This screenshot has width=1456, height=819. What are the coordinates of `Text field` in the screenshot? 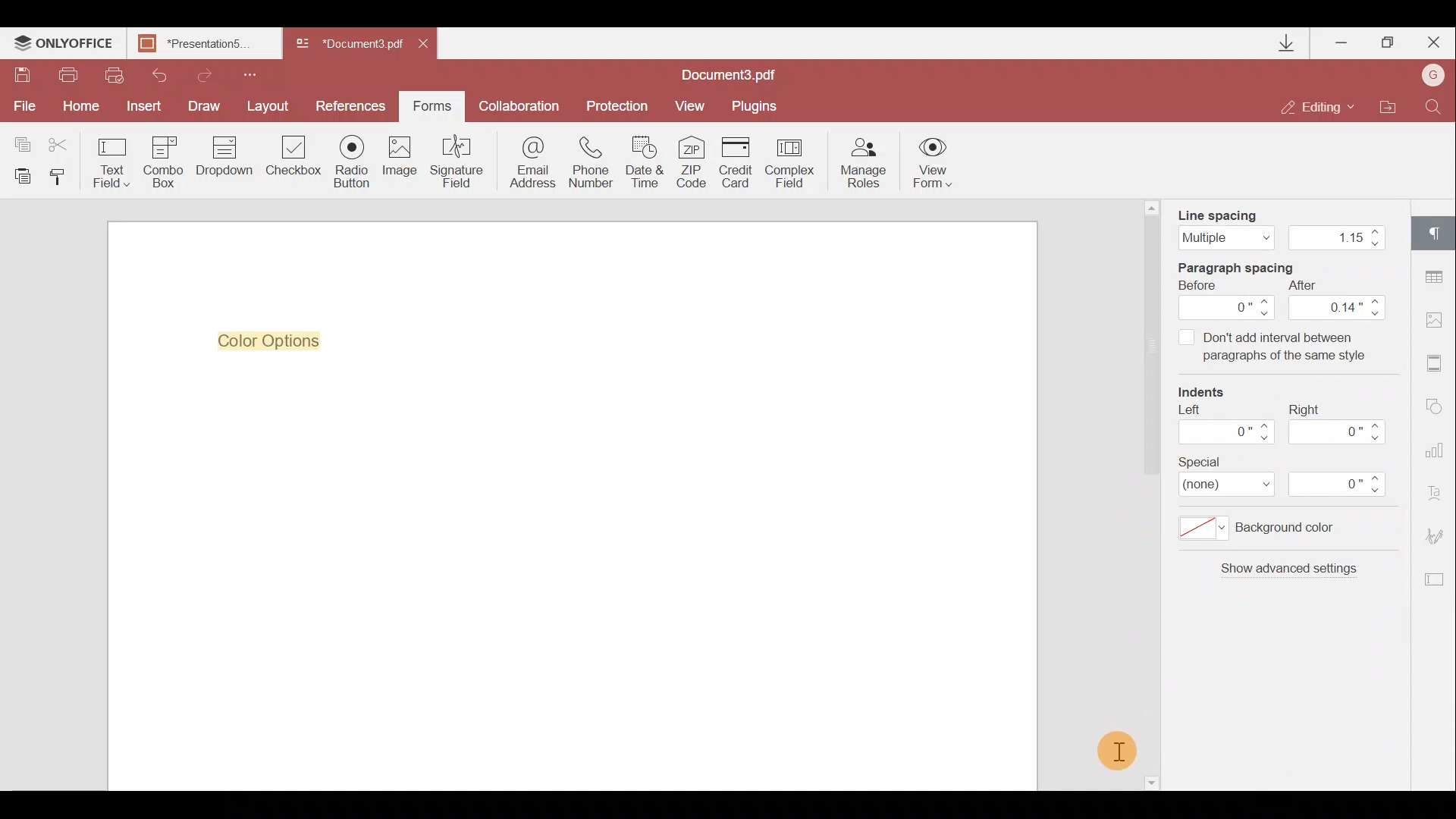 It's located at (109, 162).